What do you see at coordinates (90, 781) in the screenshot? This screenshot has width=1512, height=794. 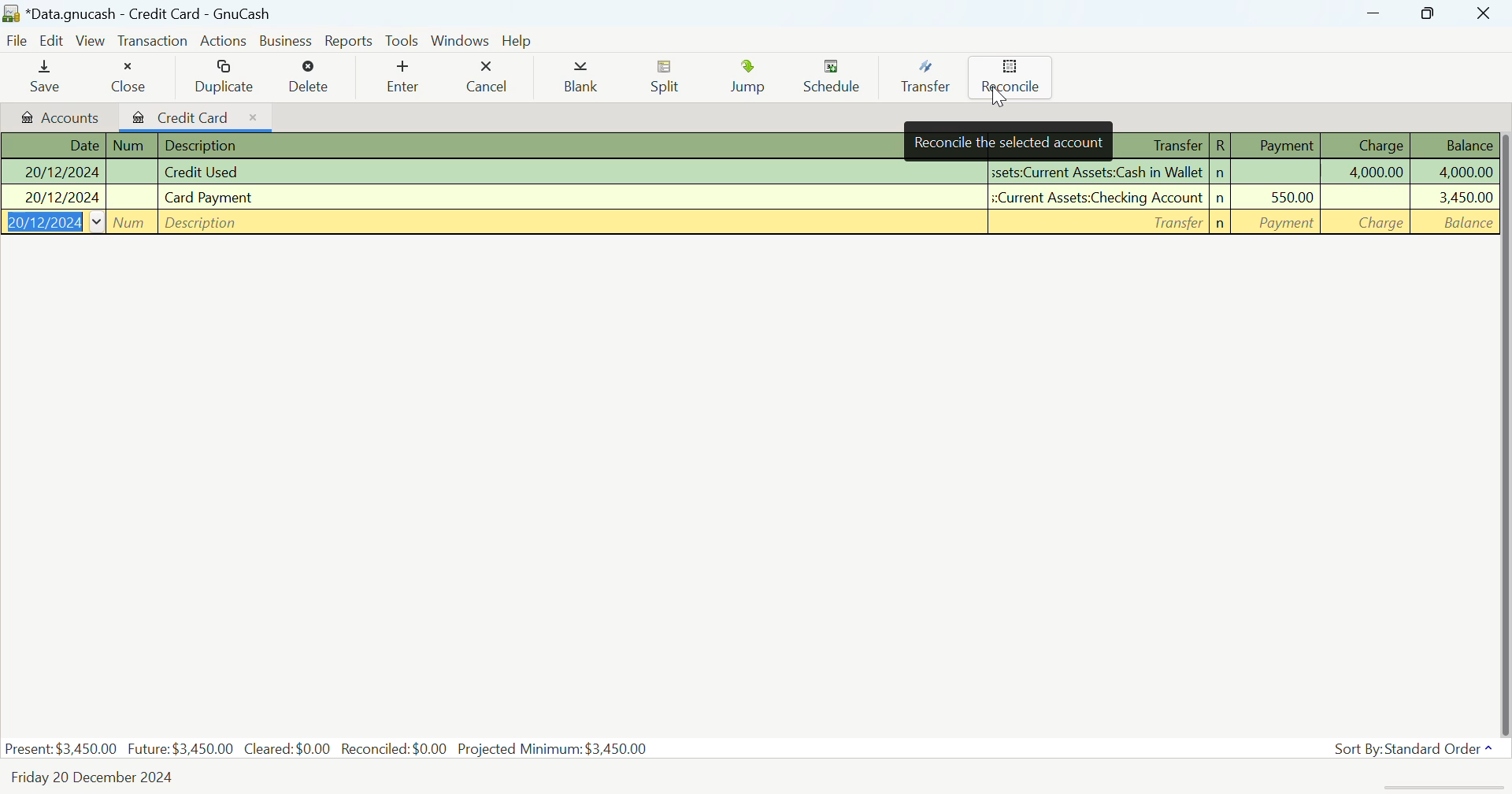 I see `Friday 20 December 2024` at bounding box center [90, 781].